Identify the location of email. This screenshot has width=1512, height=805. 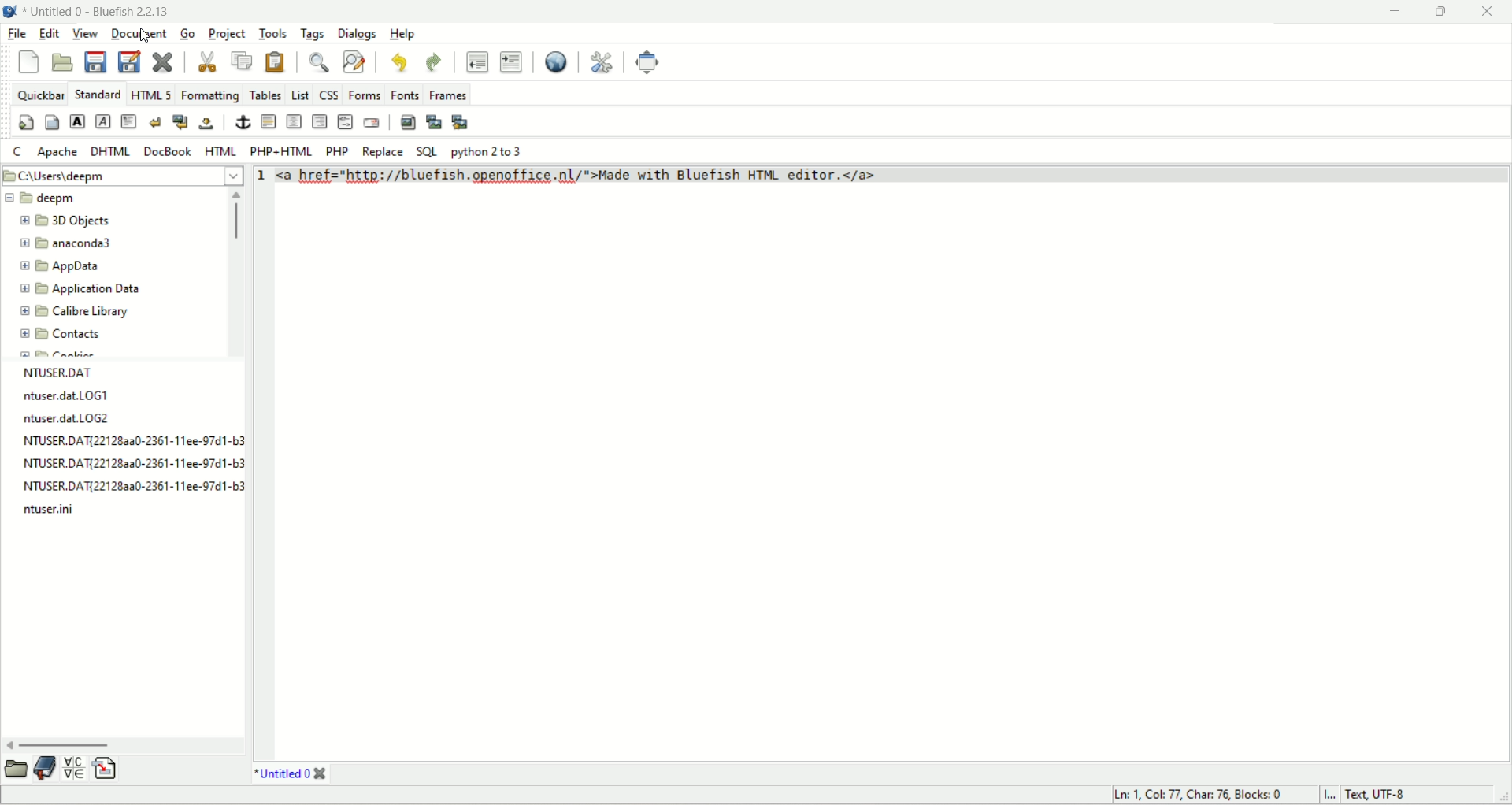
(377, 124).